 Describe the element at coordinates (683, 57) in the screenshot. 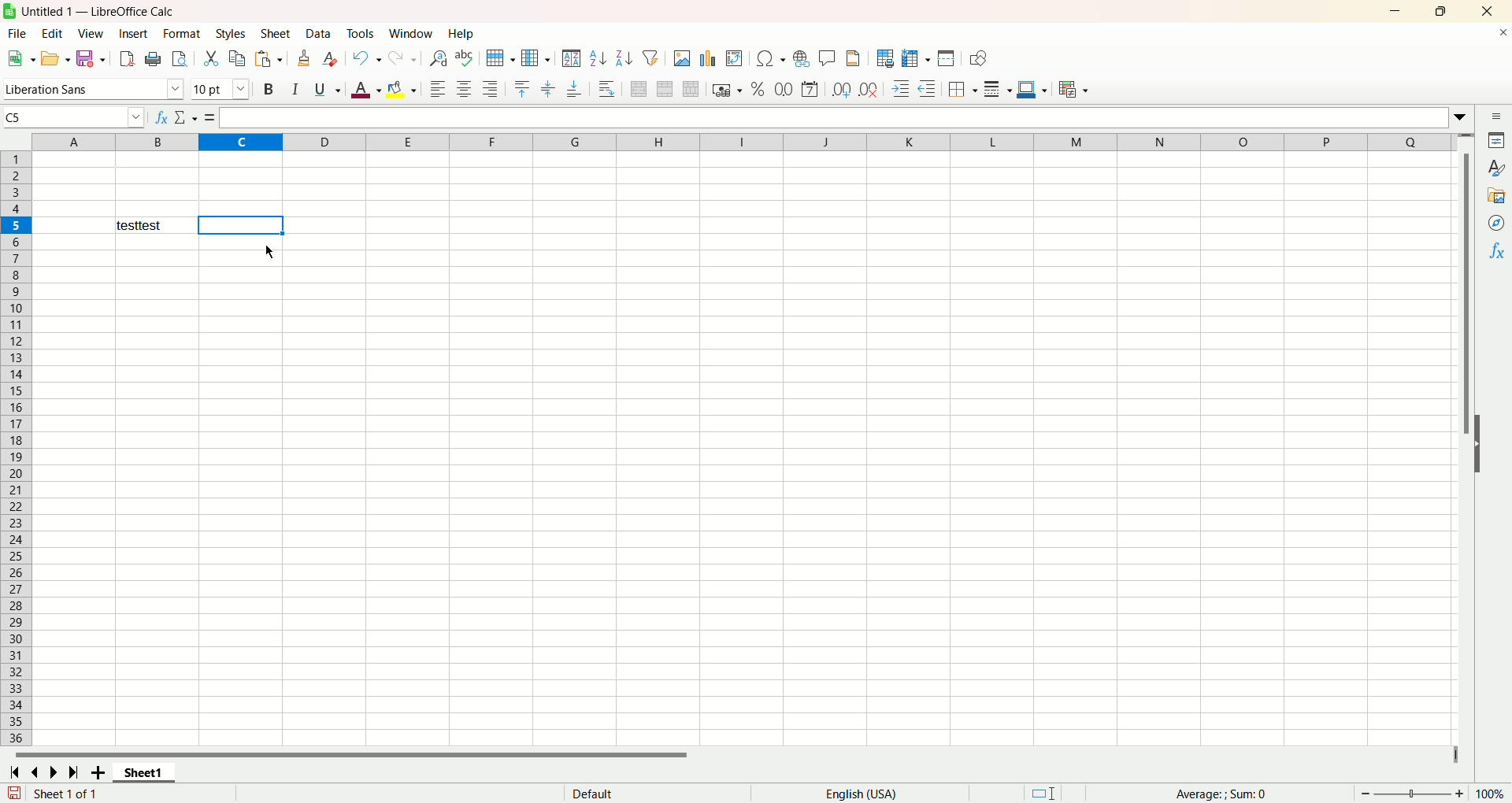

I see `insert image` at that location.